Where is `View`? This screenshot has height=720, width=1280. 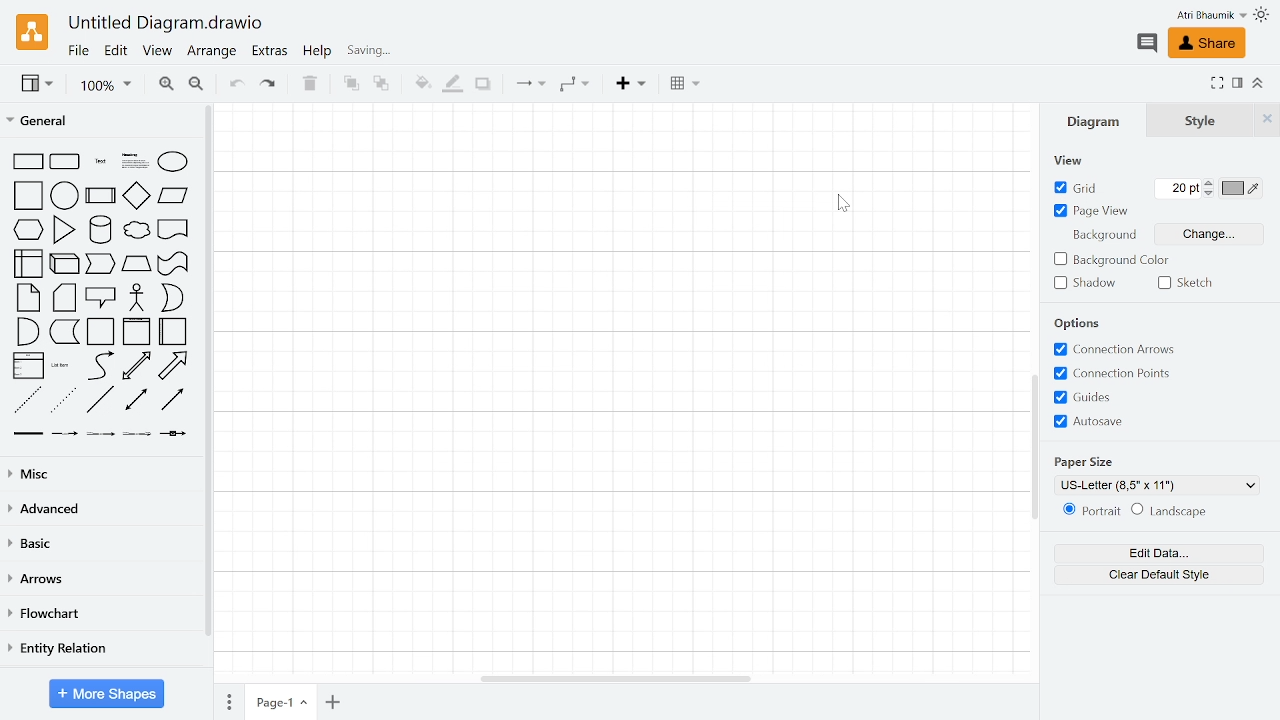 View is located at coordinates (159, 51).